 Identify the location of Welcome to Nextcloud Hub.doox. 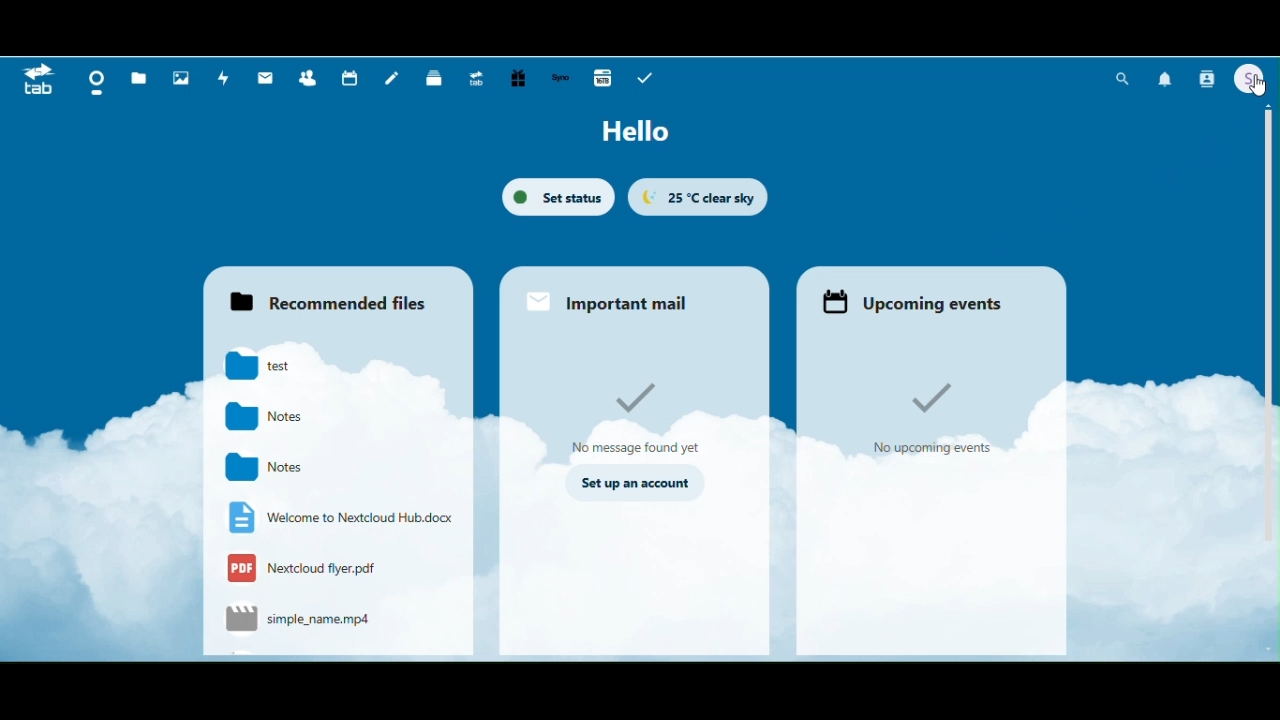
(338, 518).